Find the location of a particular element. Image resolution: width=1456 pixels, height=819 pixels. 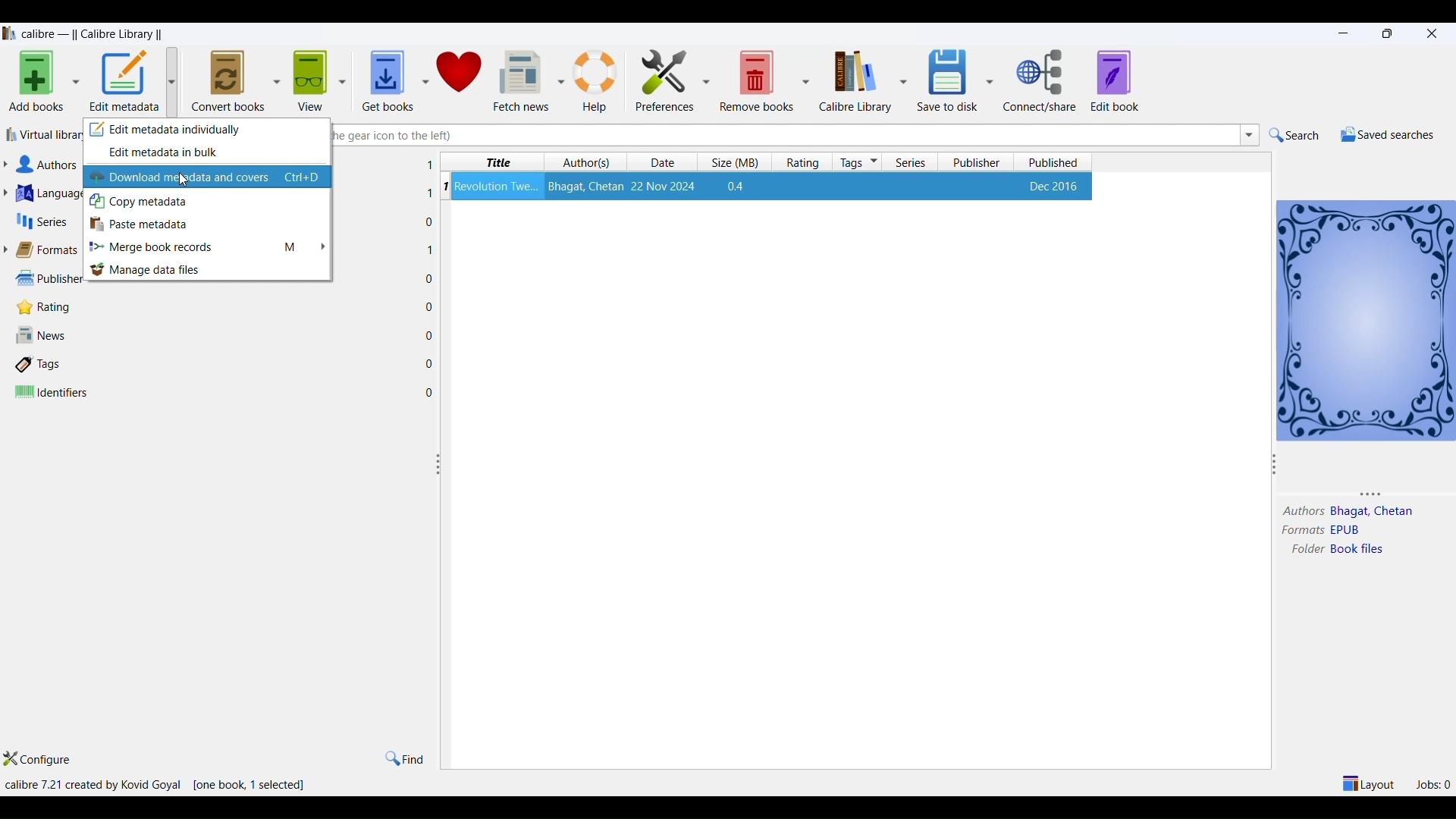

rating is located at coordinates (40, 307).